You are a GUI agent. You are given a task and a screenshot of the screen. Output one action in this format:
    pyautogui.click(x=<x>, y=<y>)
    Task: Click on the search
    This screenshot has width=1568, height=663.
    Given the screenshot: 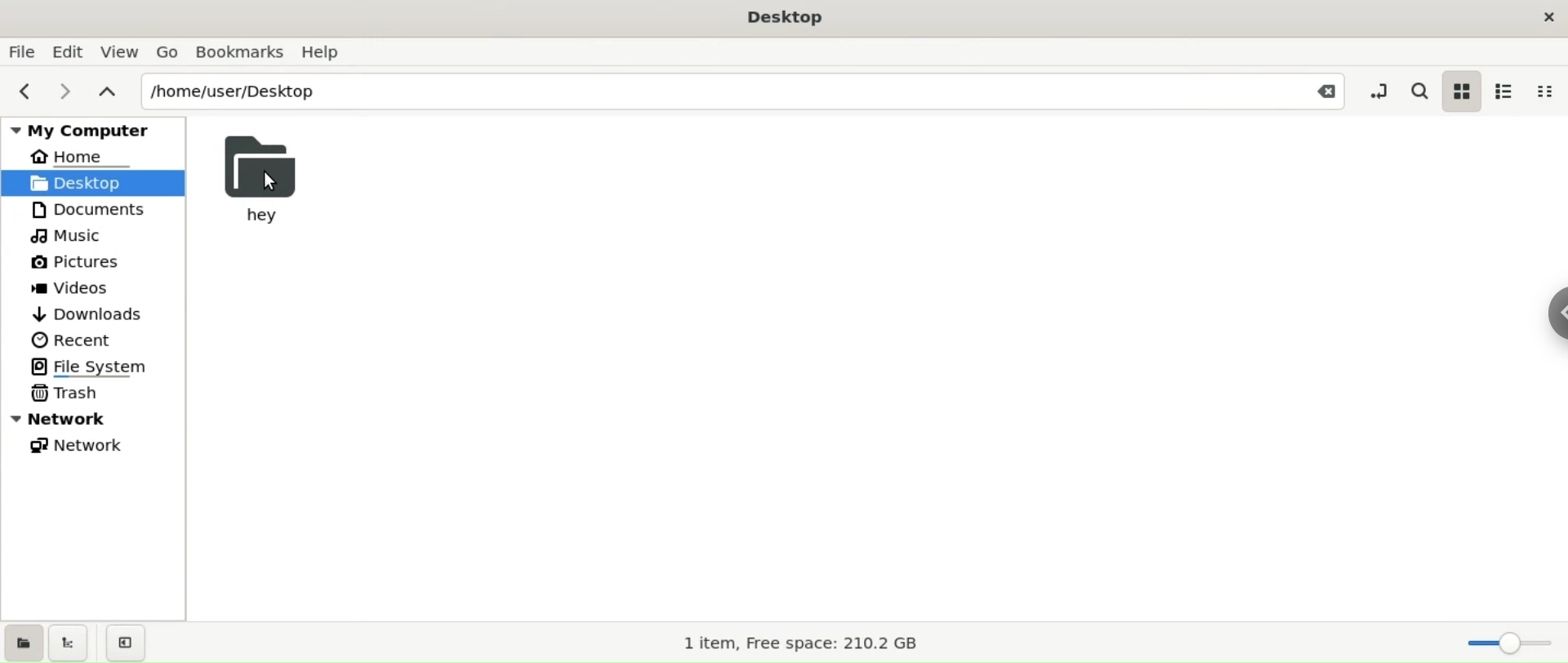 What is the action you would take?
    pyautogui.click(x=1420, y=89)
    